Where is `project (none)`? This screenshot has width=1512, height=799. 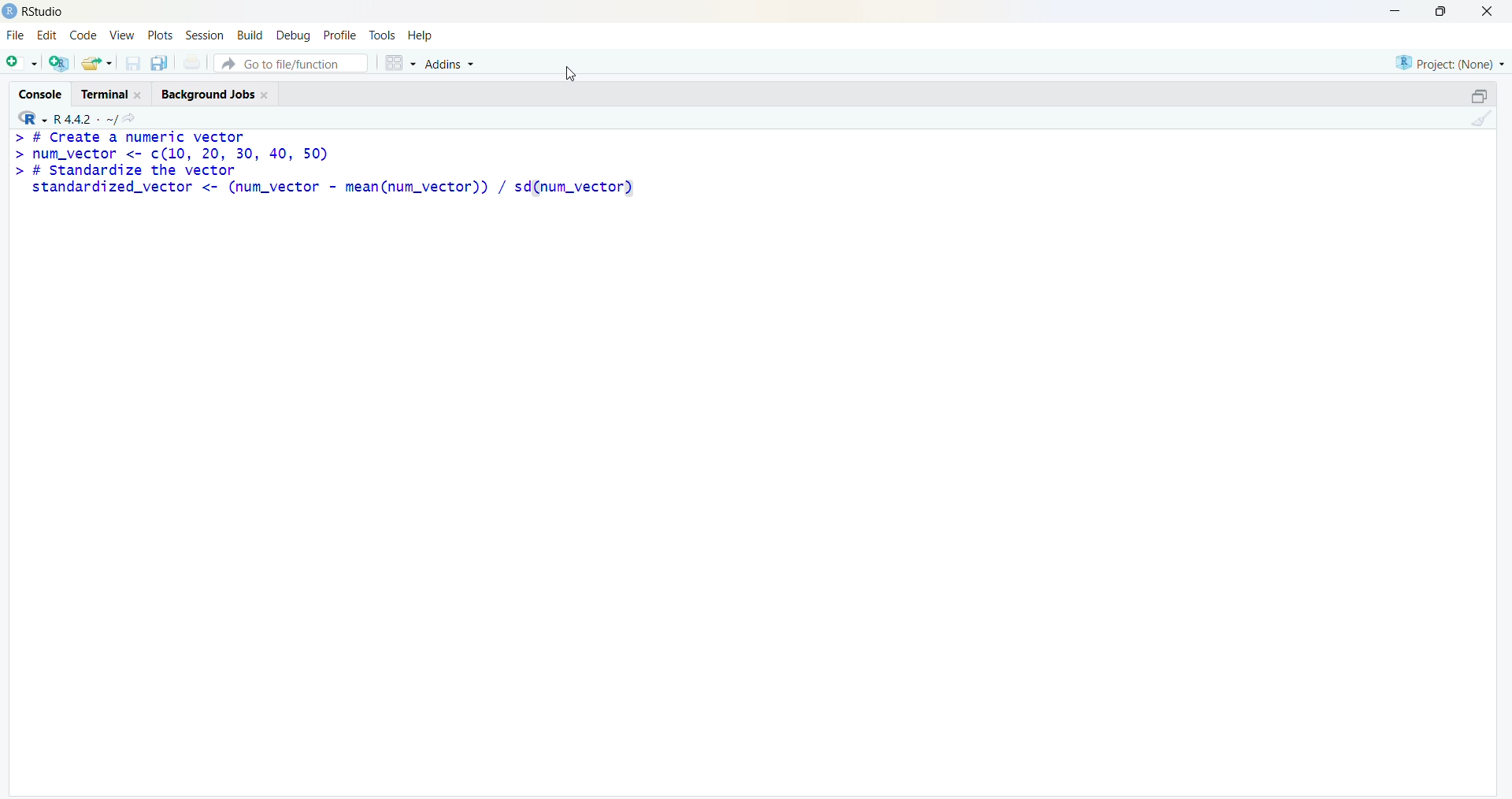
project (none) is located at coordinates (1450, 64).